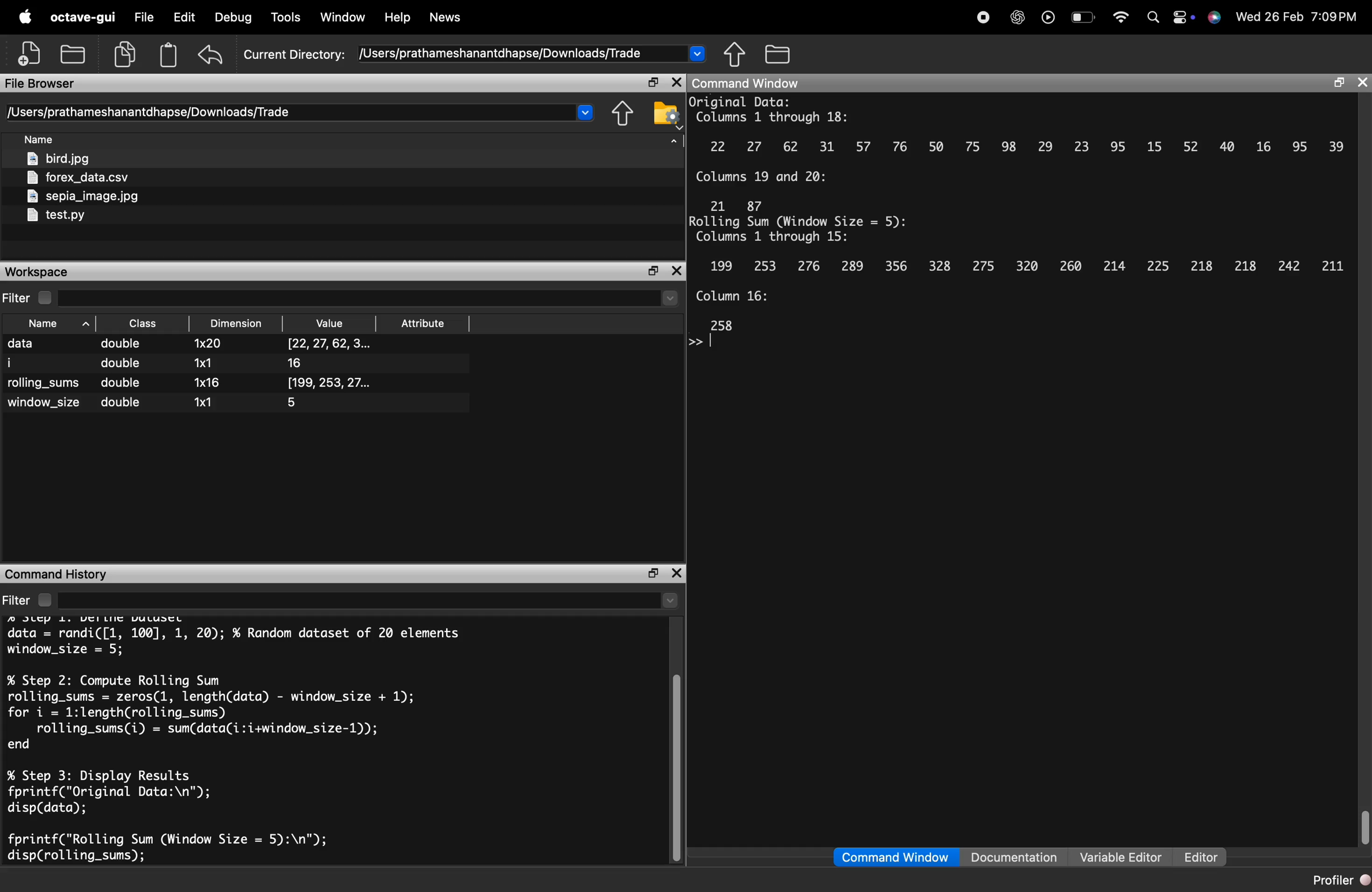 The height and width of the screenshot is (892, 1372). I want to click on maximize, so click(1341, 83).